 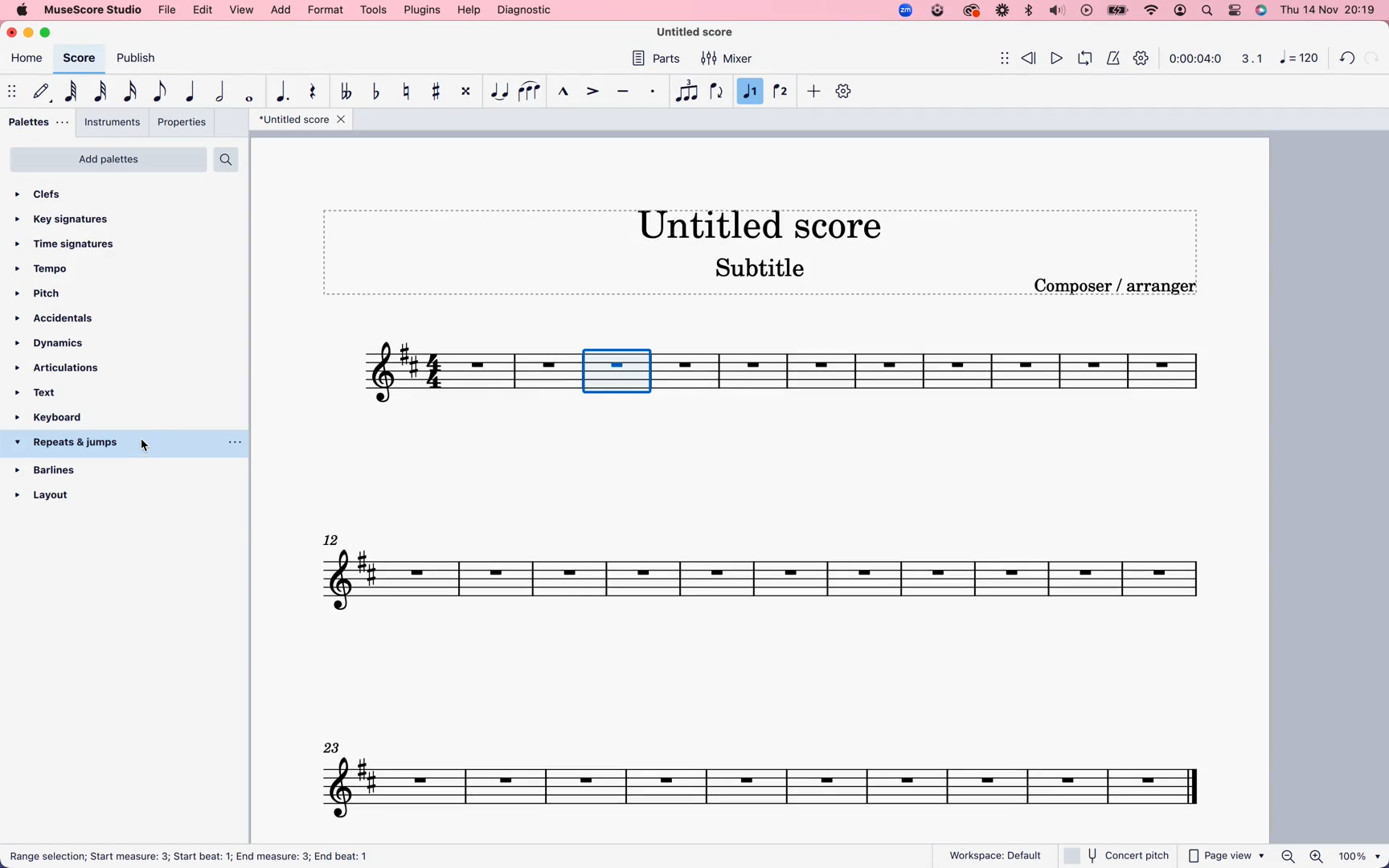 I want to click on diagnostic, so click(x=525, y=10).